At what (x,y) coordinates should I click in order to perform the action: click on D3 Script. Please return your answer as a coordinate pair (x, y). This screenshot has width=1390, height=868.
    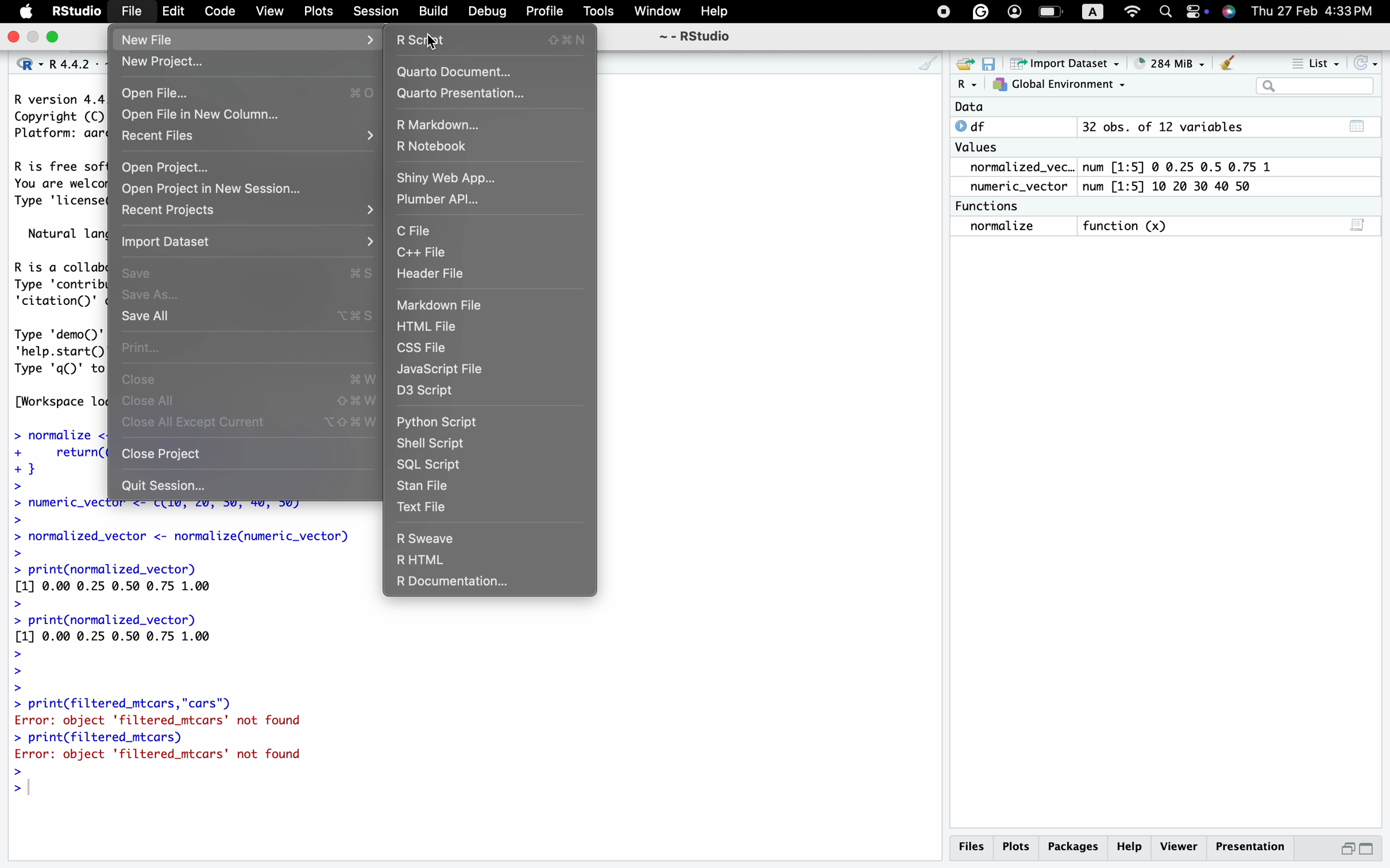
    Looking at the image, I should click on (435, 394).